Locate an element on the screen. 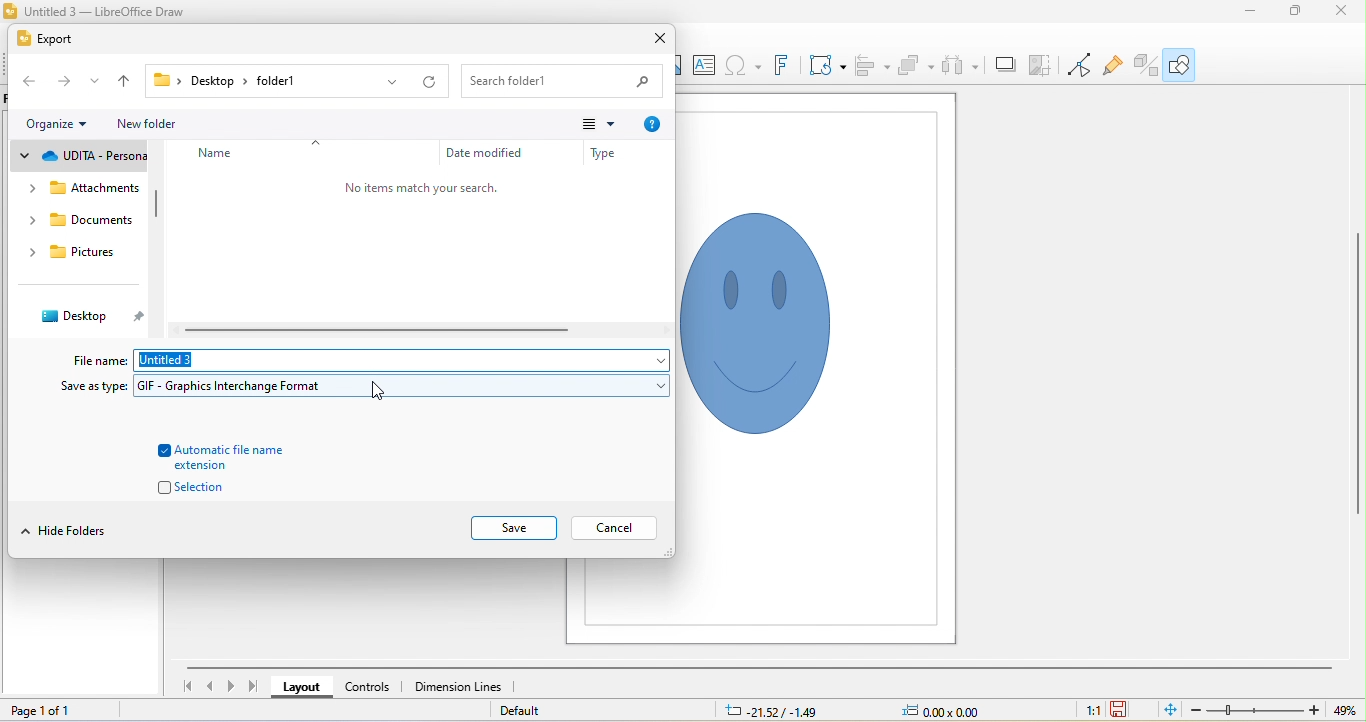 The image size is (1366, 722). layout is located at coordinates (304, 690).